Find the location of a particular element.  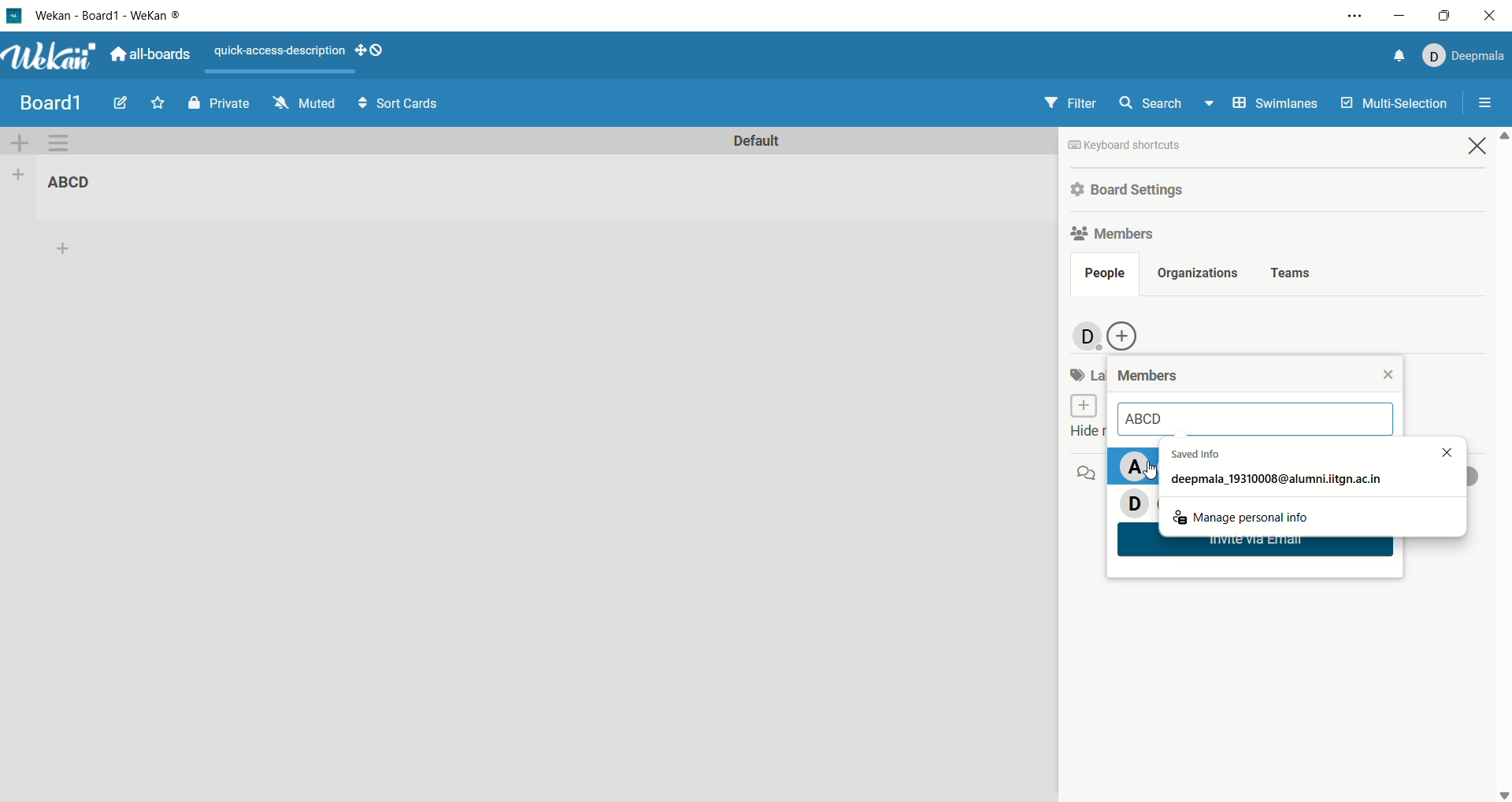

add people is located at coordinates (1125, 336).